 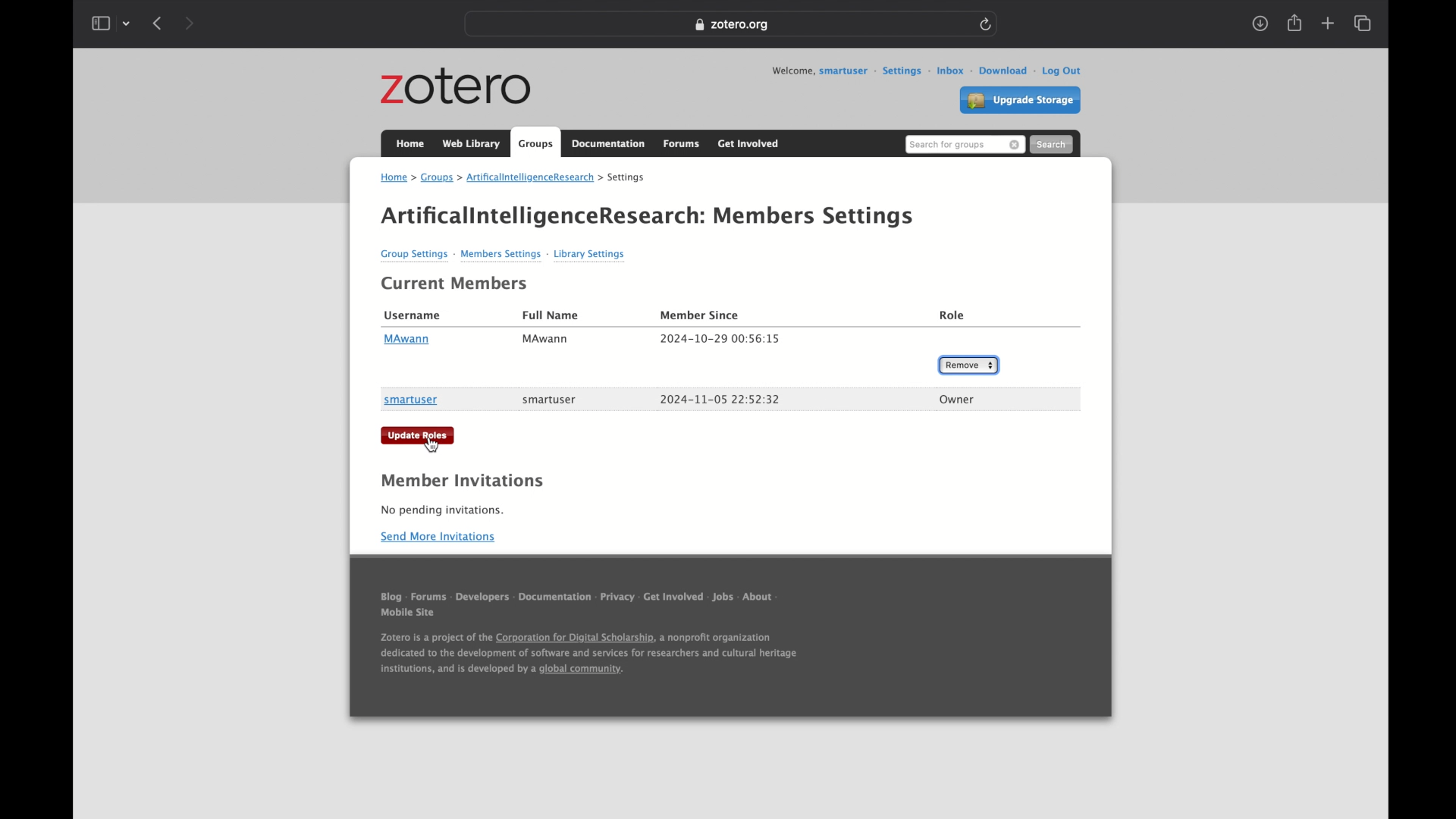 I want to click on get involved, so click(x=673, y=600).